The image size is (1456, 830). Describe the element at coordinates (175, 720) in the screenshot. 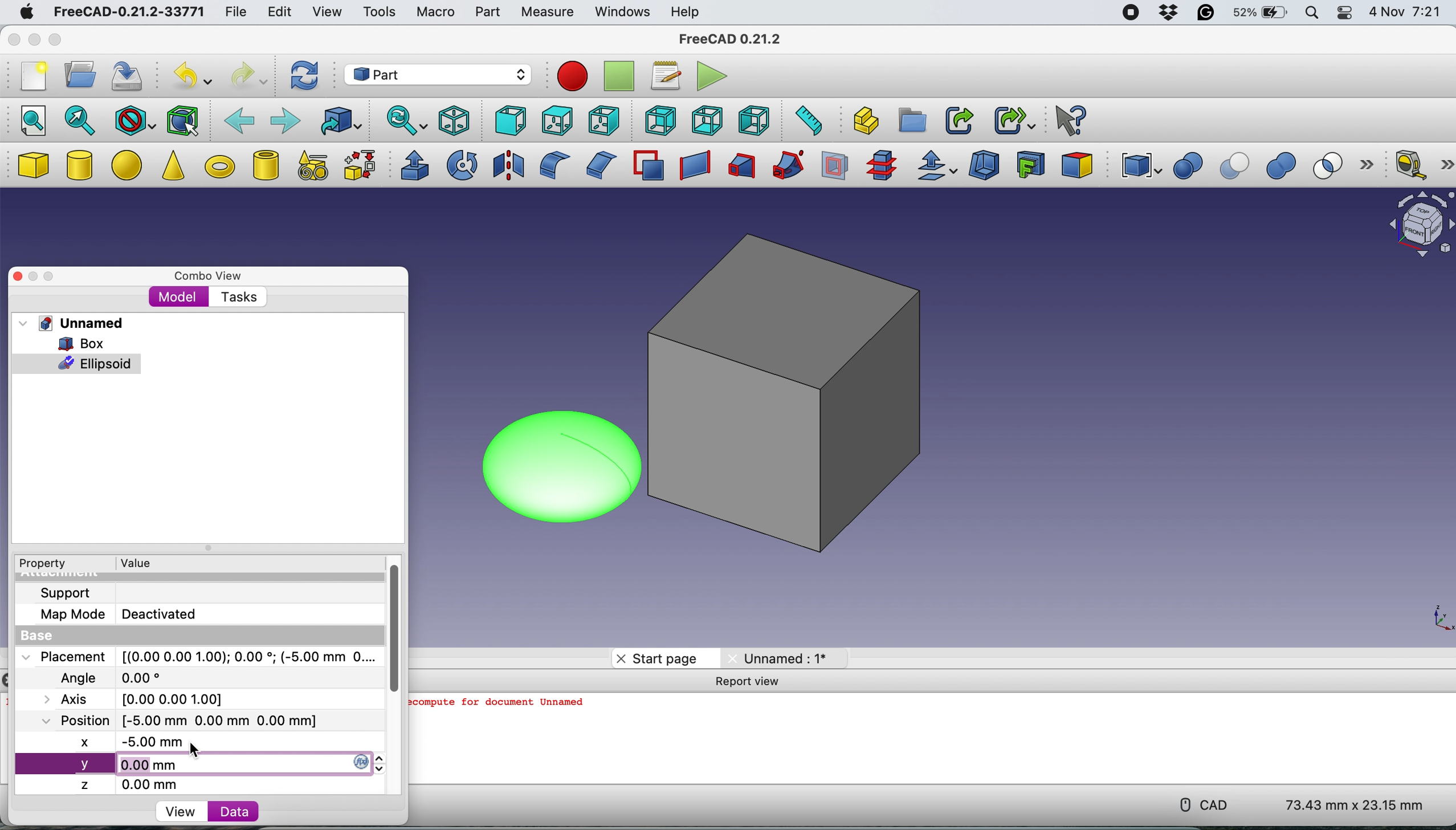

I see `Position [-5.00 mm 0.00 mm 0.00 mm]` at that location.